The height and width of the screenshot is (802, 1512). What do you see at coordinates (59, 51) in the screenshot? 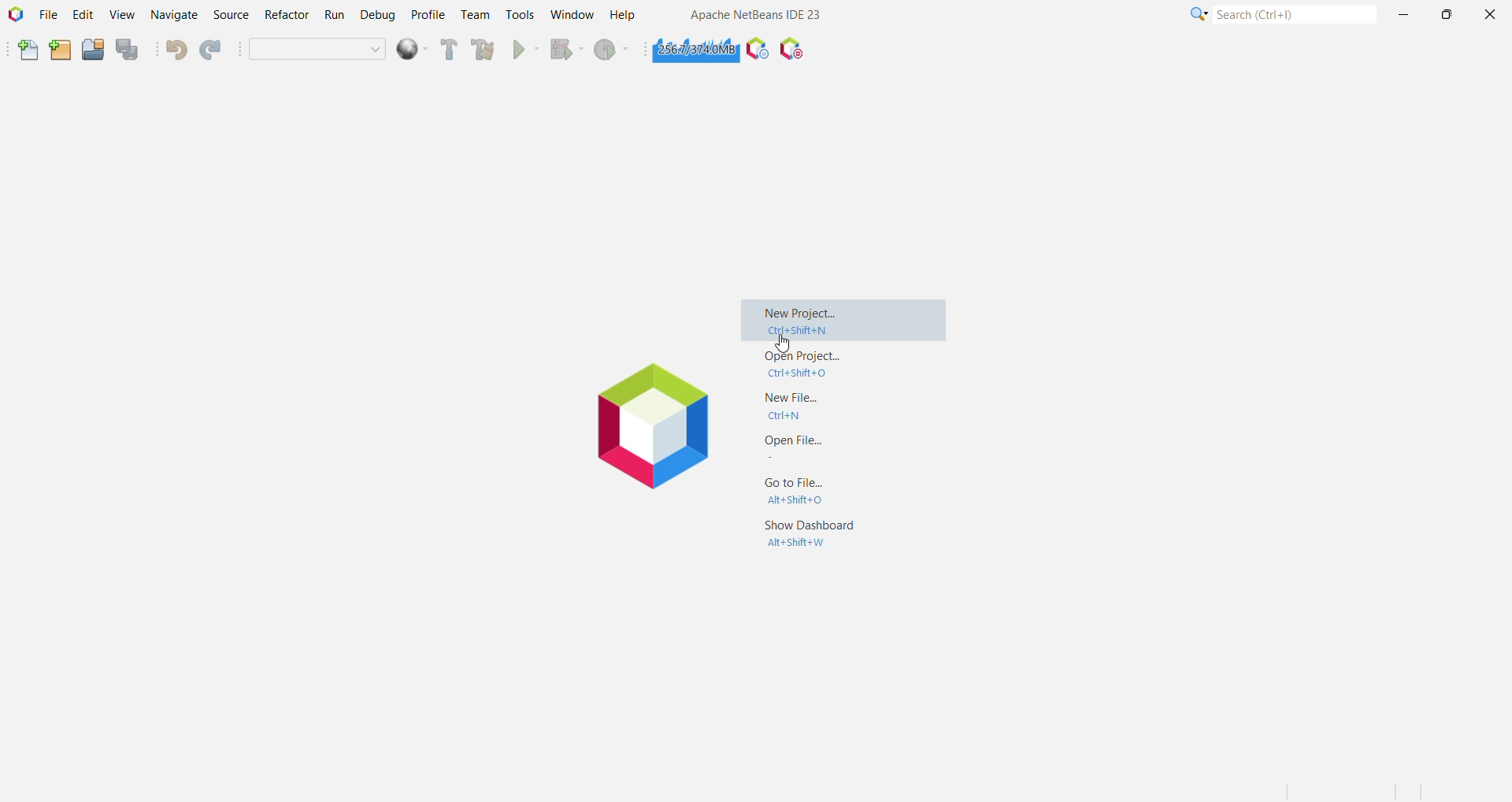
I see `New Project` at bounding box center [59, 51].